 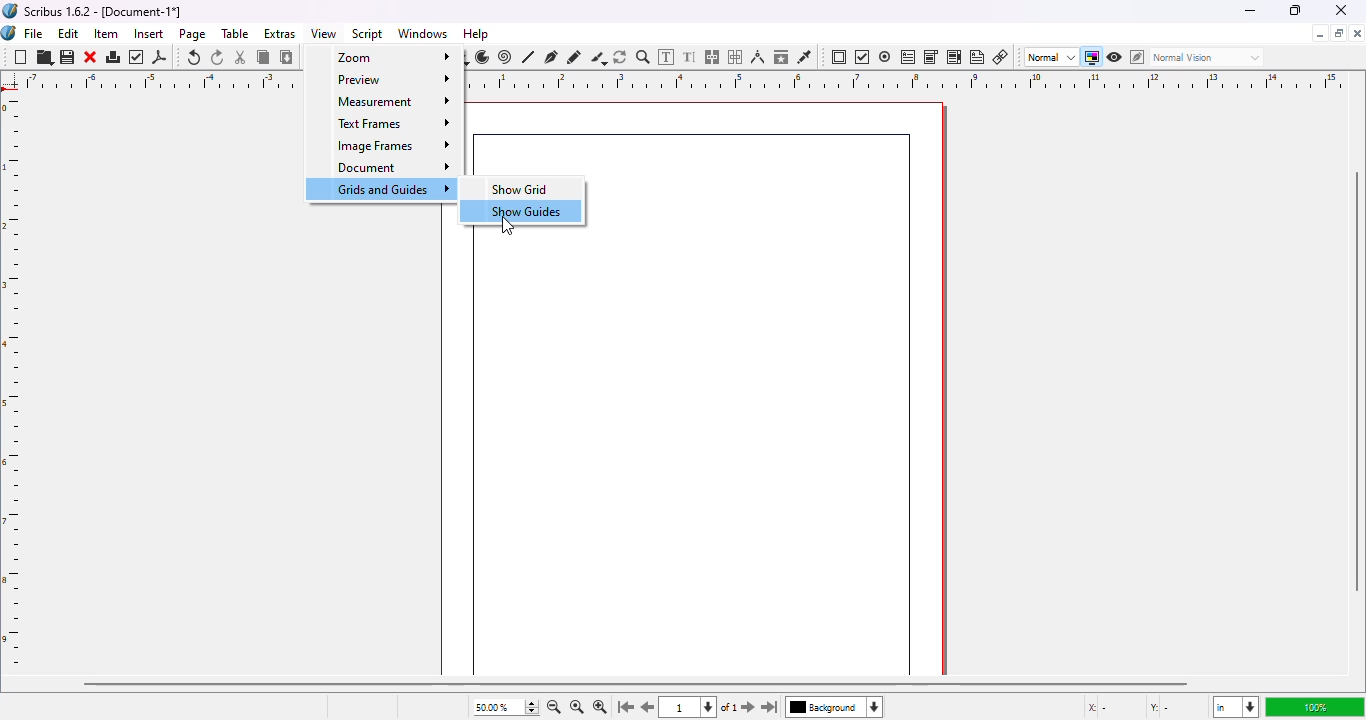 What do you see at coordinates (748, 705) in the screenshot?
I see `go to the next page` at bounding box center [748, 705].